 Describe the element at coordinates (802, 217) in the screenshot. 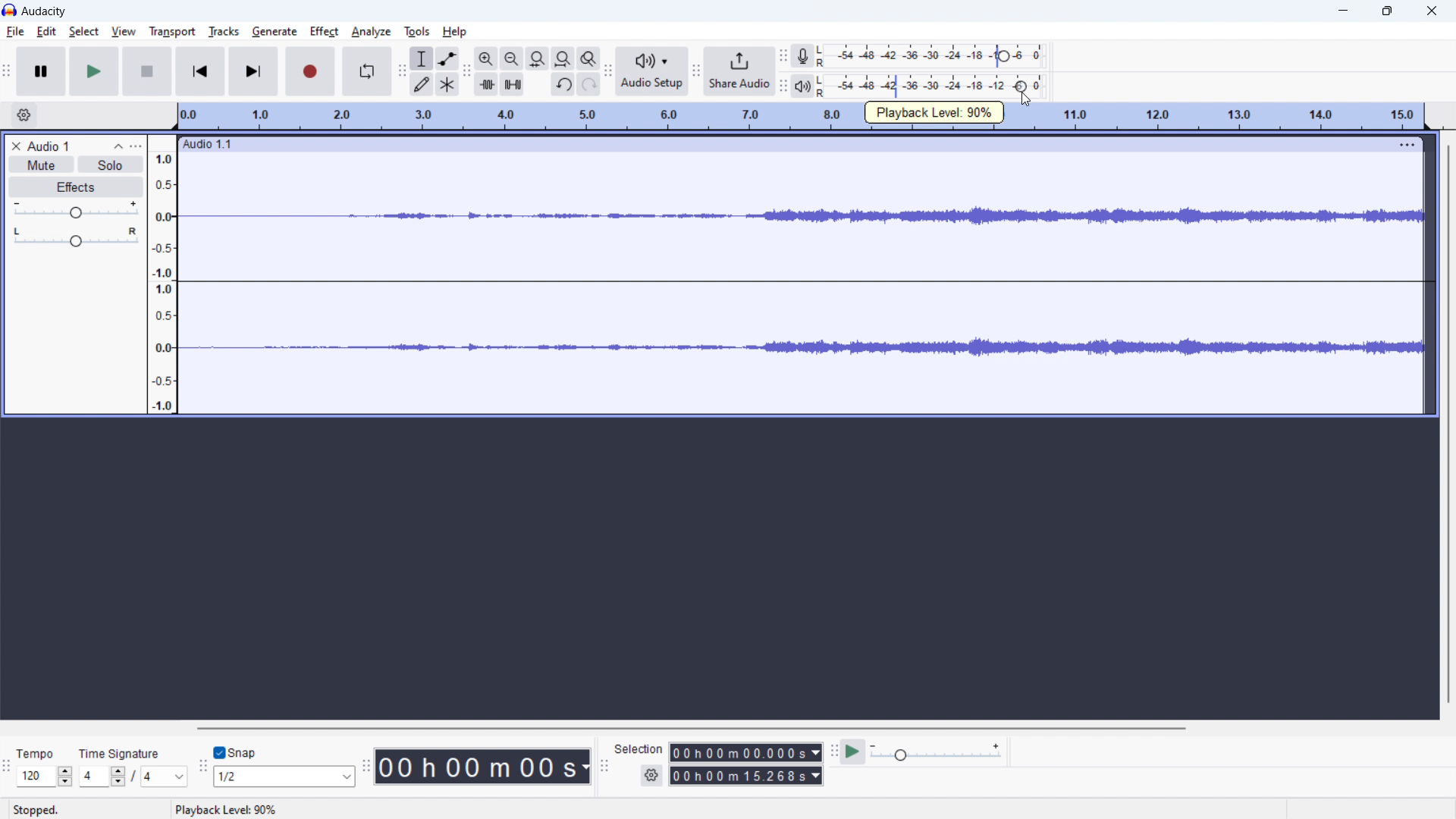

I see `waveform` at that location.